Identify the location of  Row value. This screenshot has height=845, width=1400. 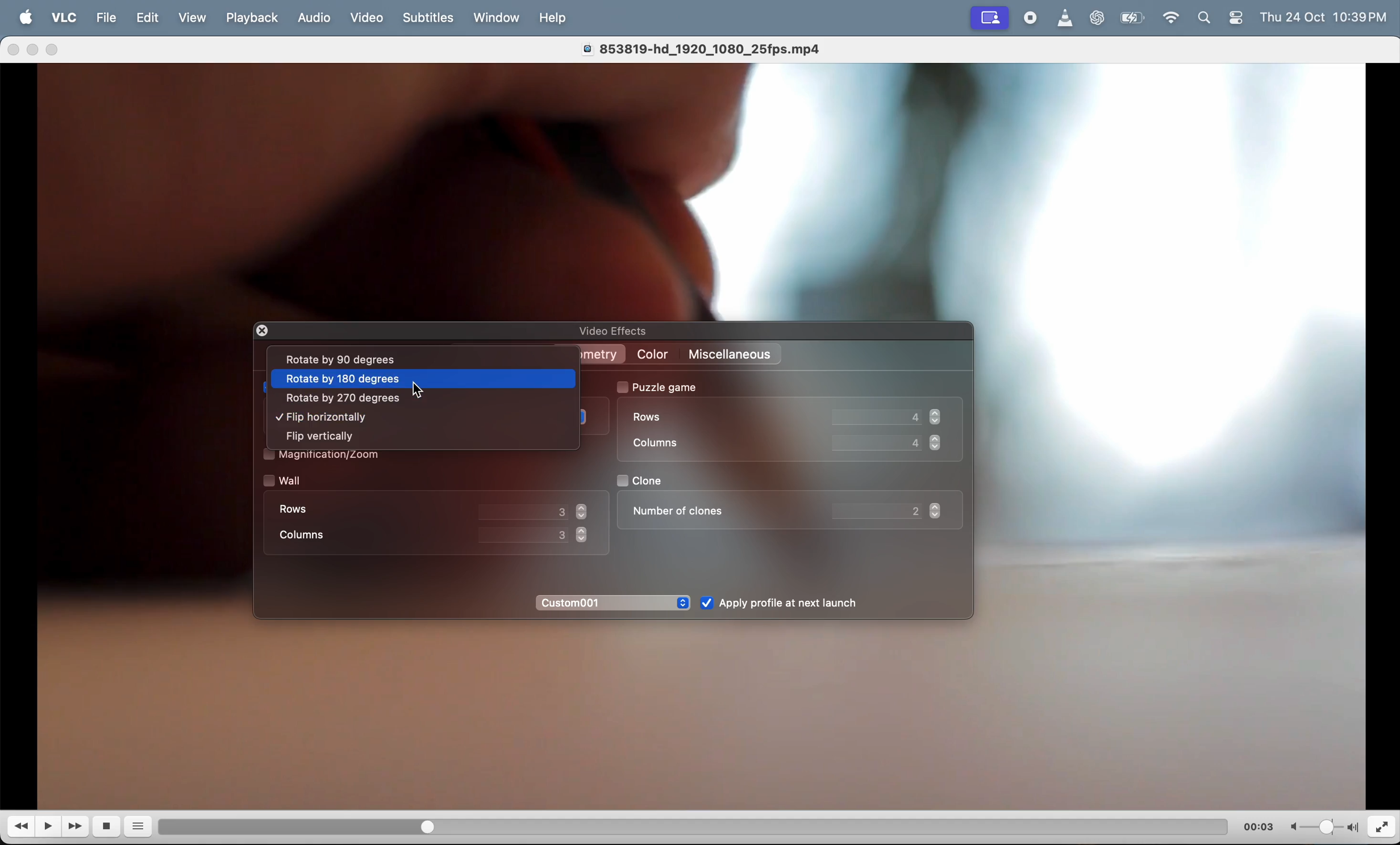
(885, 417).